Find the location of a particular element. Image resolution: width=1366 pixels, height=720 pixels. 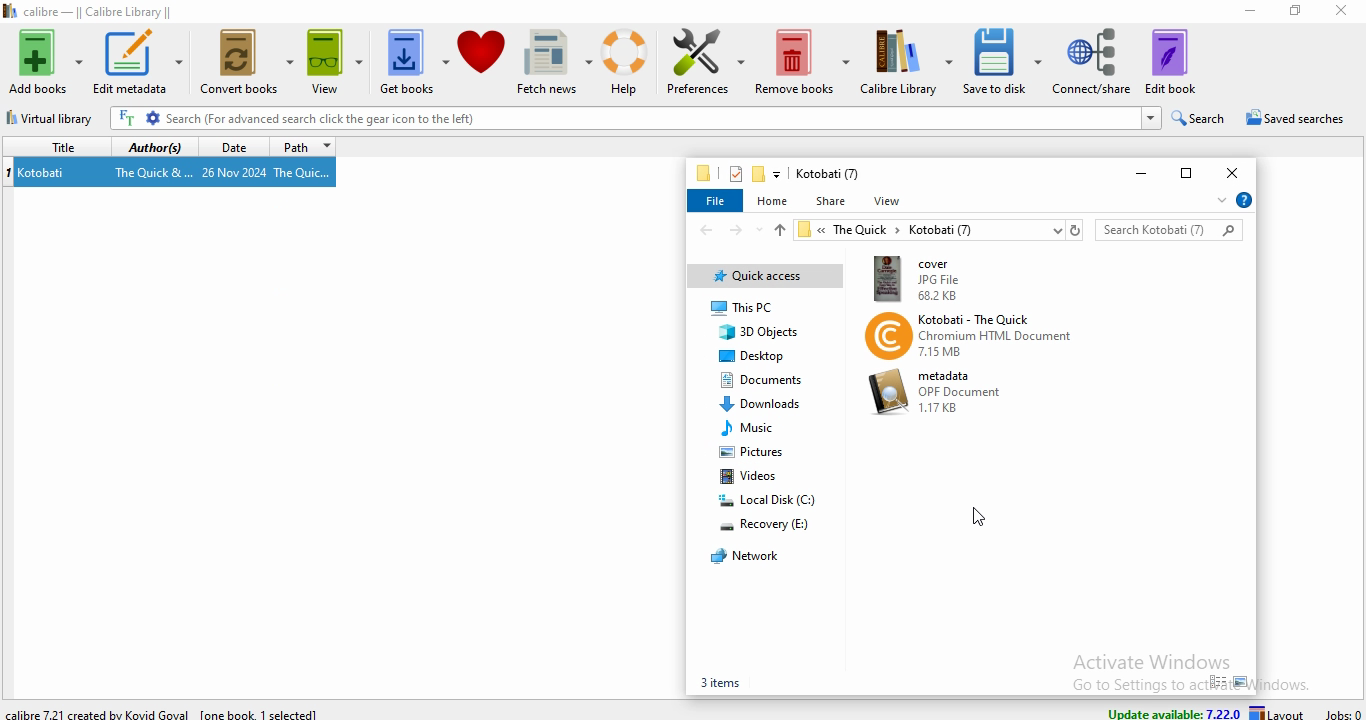

search bar is located at coordinates (1169, 228).